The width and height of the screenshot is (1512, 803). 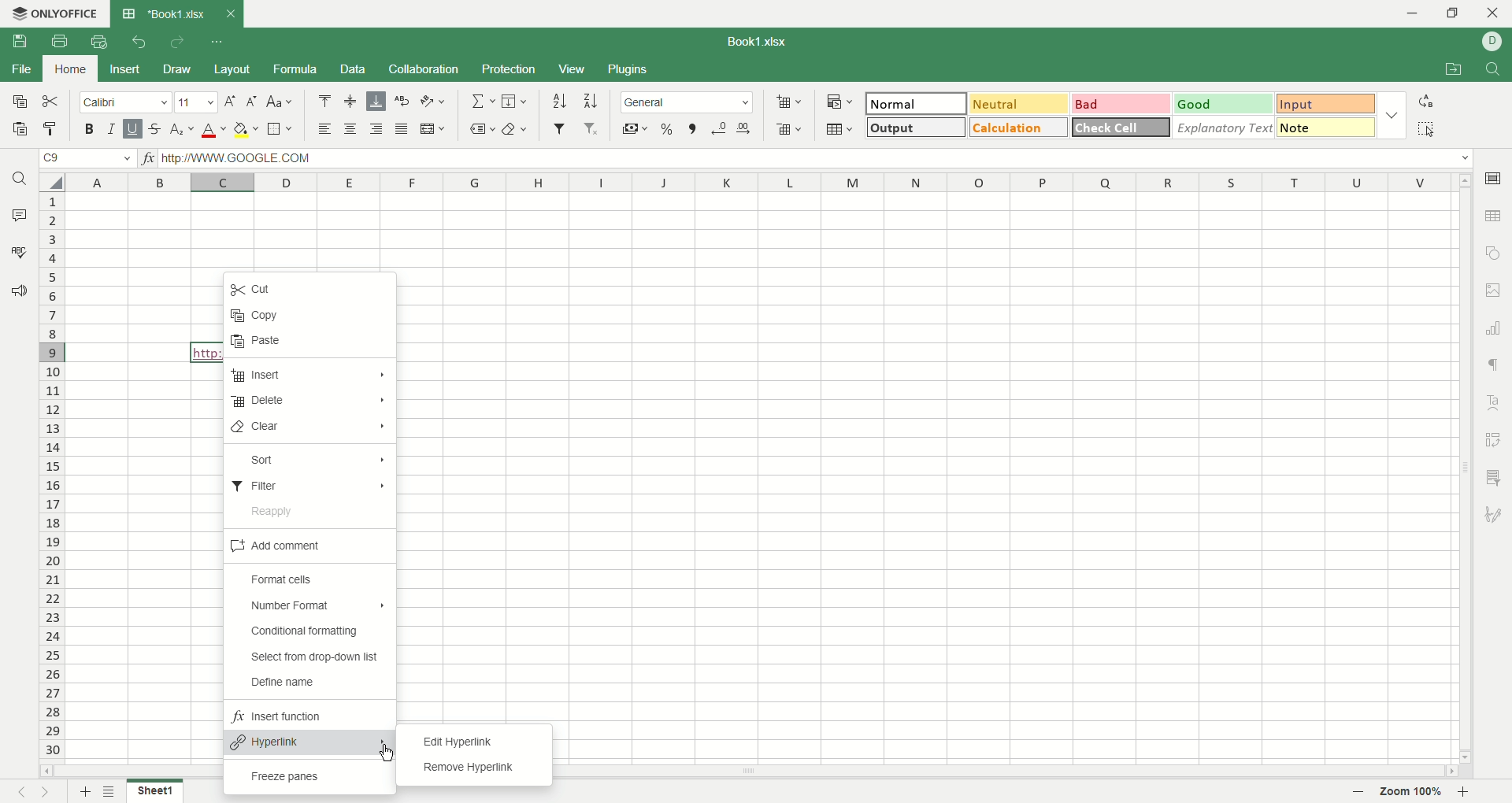 What do you see at coordinates (686, 102) in the screenshot?
I see `number format` at bounding box center [686, 102].